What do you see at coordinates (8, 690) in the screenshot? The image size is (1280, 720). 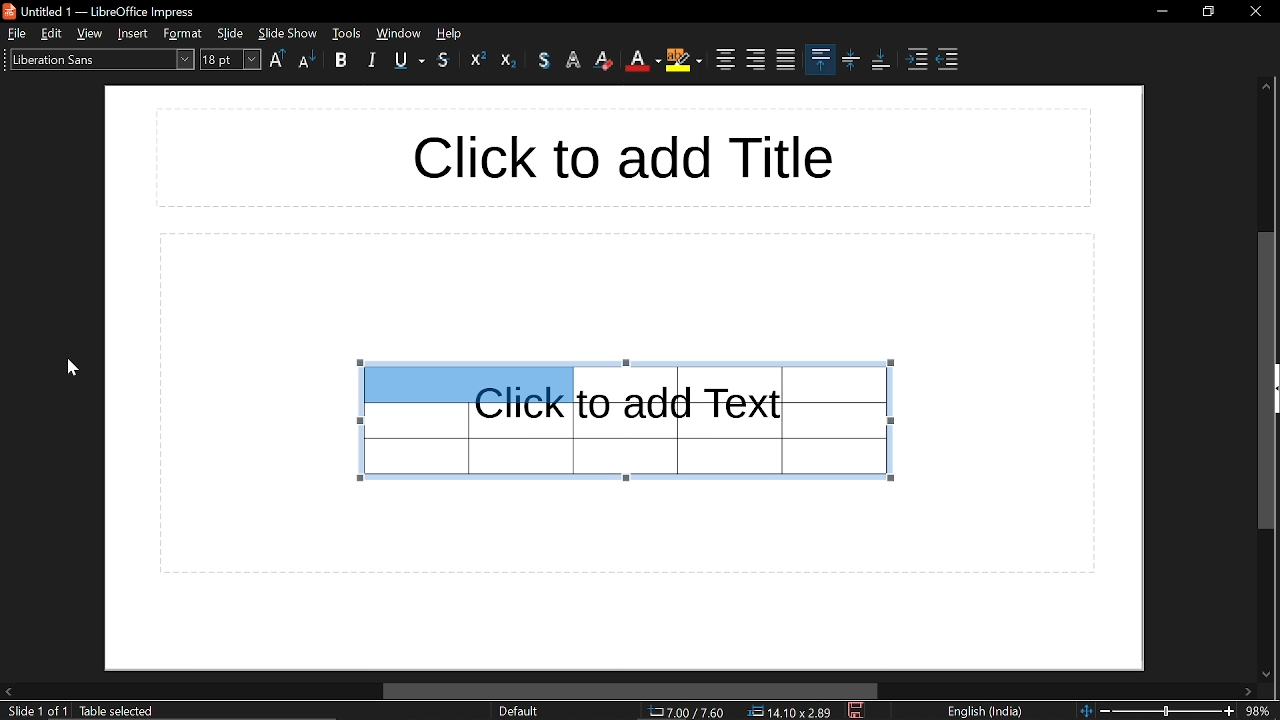 I see `move left` at bounding box center [8, 690].